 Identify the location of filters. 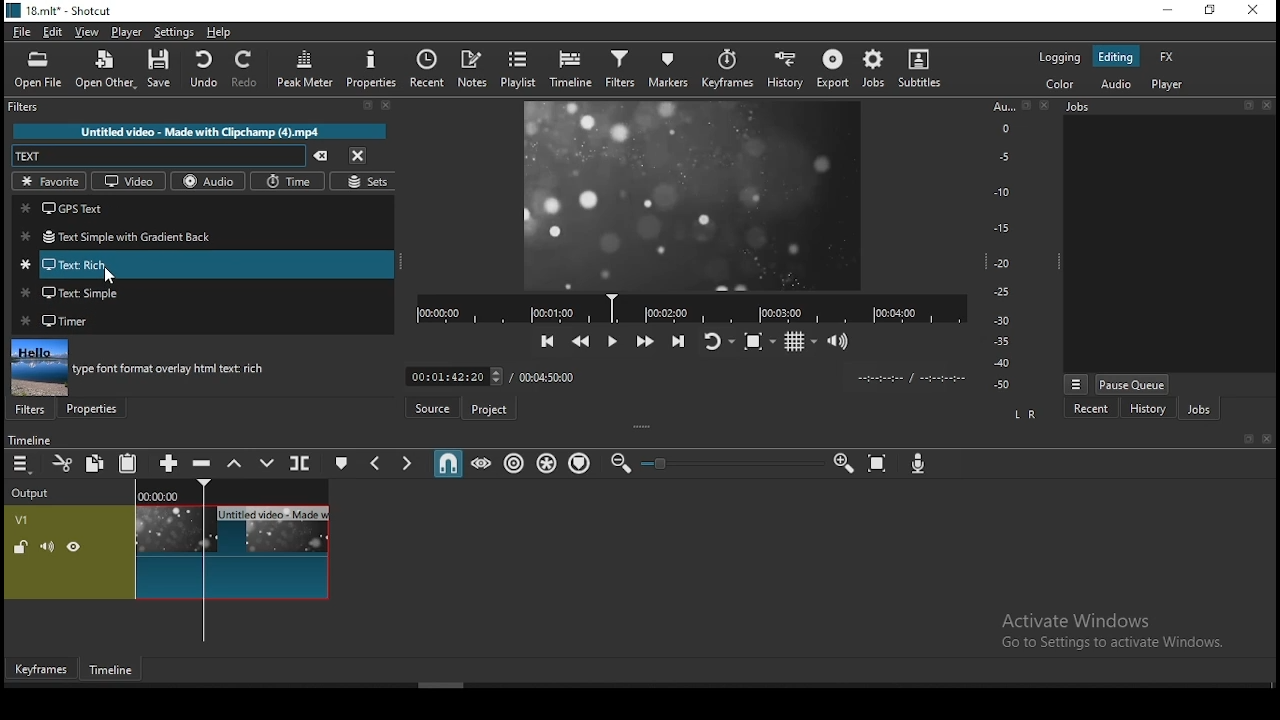
(31, 409).